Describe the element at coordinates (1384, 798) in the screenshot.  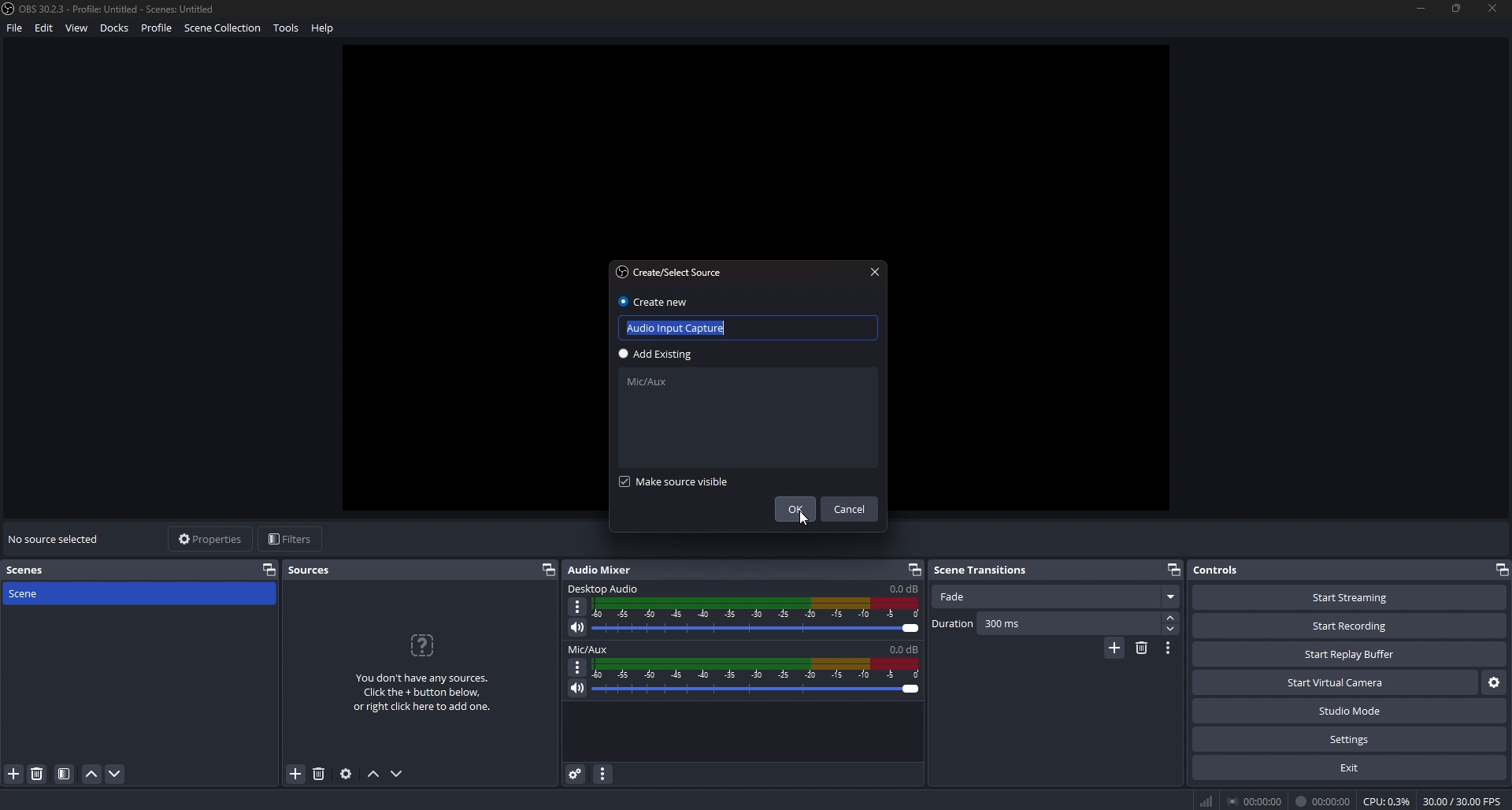
I see `0 CPU: 0.69` at that location.